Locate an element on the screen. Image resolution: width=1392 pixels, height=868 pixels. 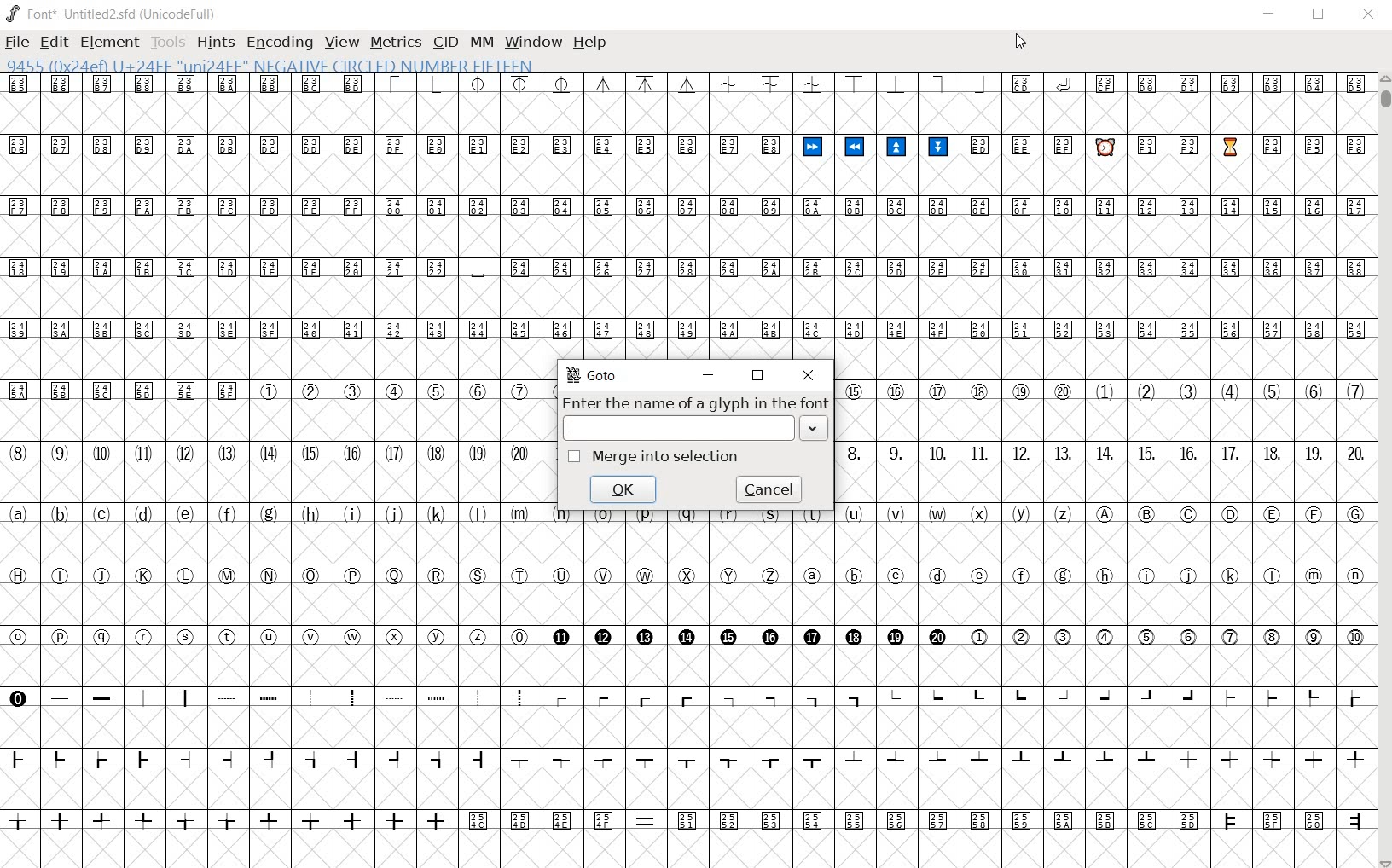
9455 (0x24ef) U+24EF "uni24EF" NEGATIVE CIRCLED NUMBER FIFTEEN is located at coordinates (270, 65).